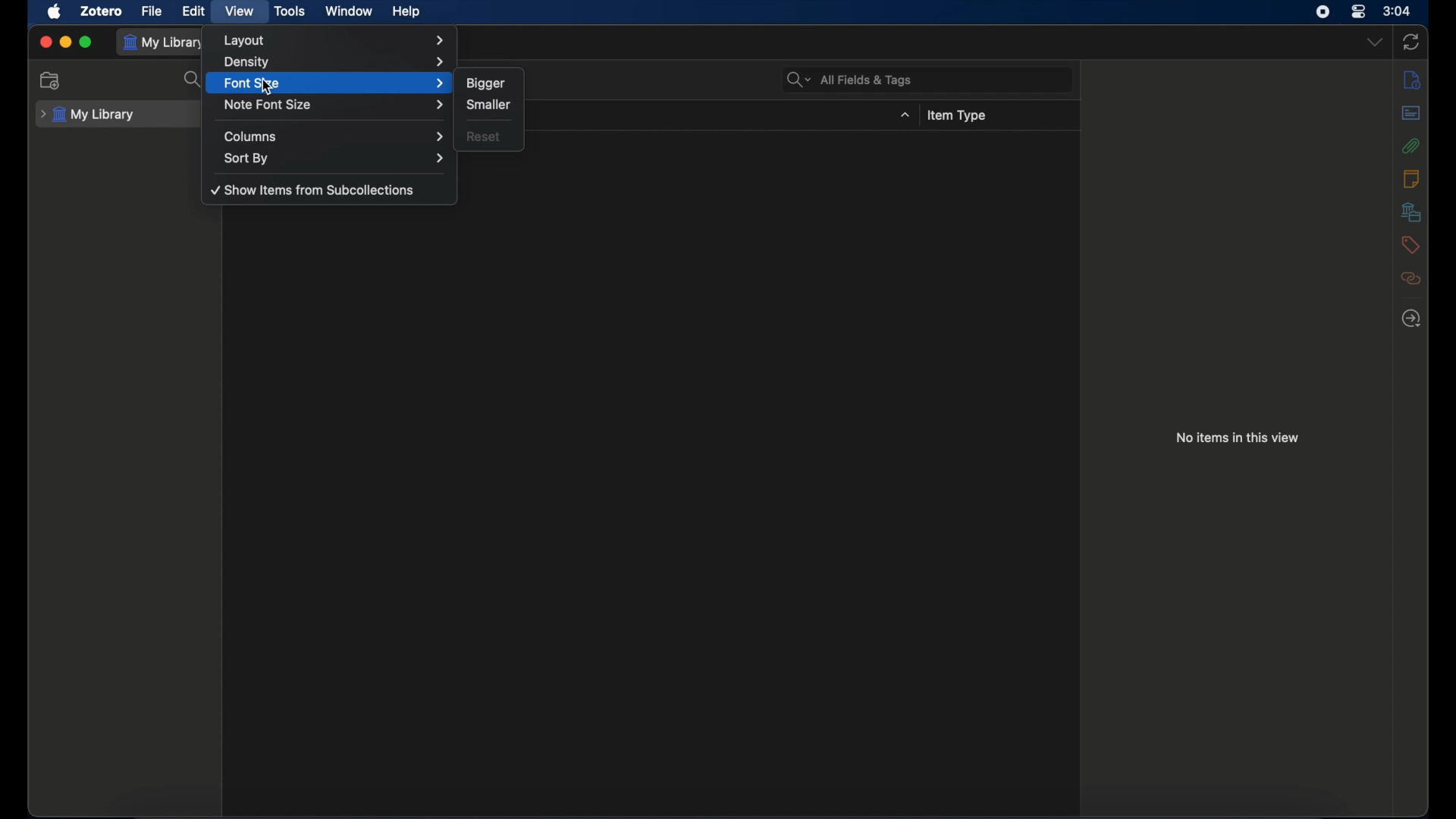 Image resolution: width=1456 pixels, height=819 pixels. What do you see at coordinates (1376, 41) in the screenshot?
I see `dropdown` at bounding box center [1376, 41].